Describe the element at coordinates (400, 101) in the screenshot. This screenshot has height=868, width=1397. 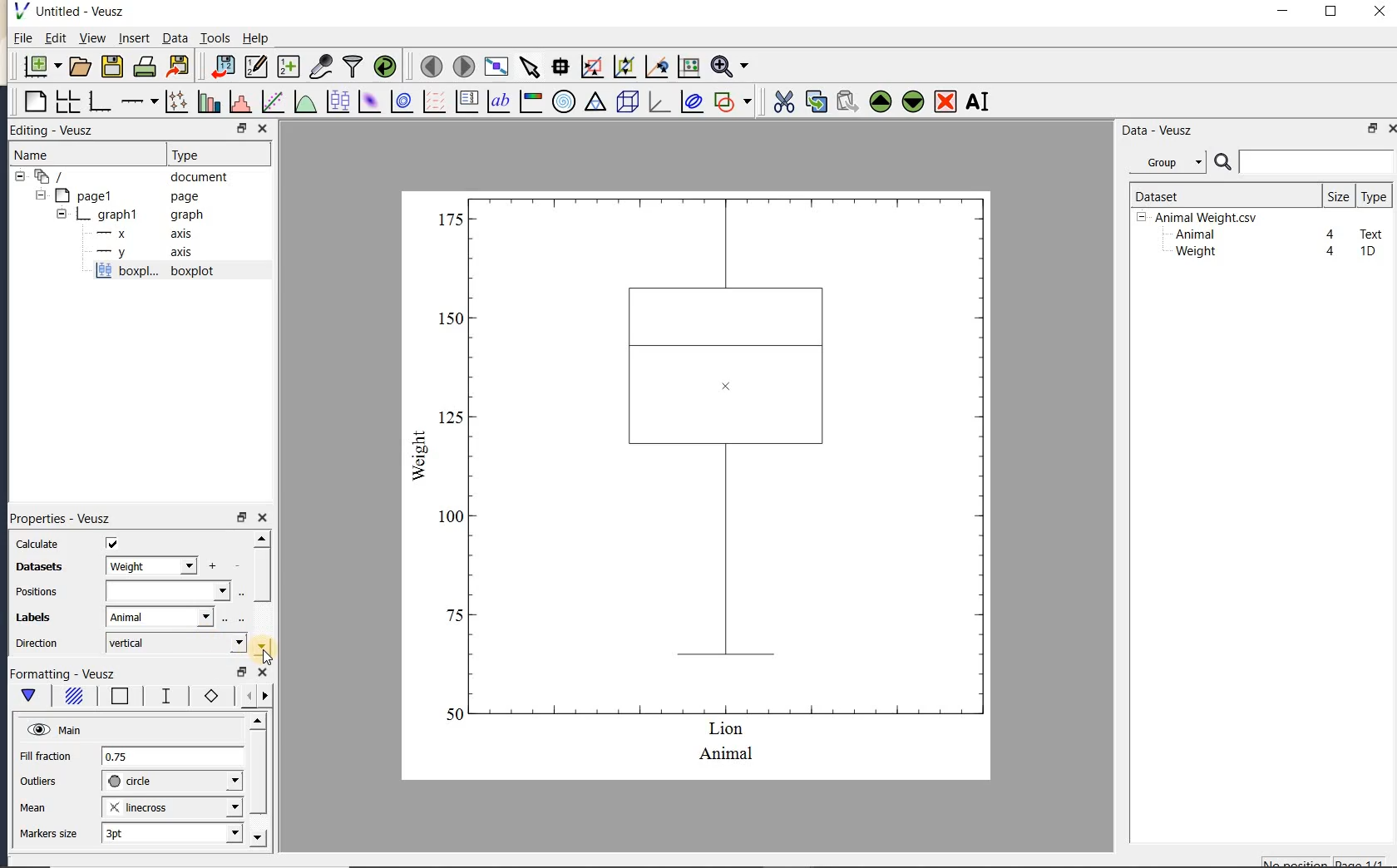
I see `plot a 2d dataset as contours` at that location.